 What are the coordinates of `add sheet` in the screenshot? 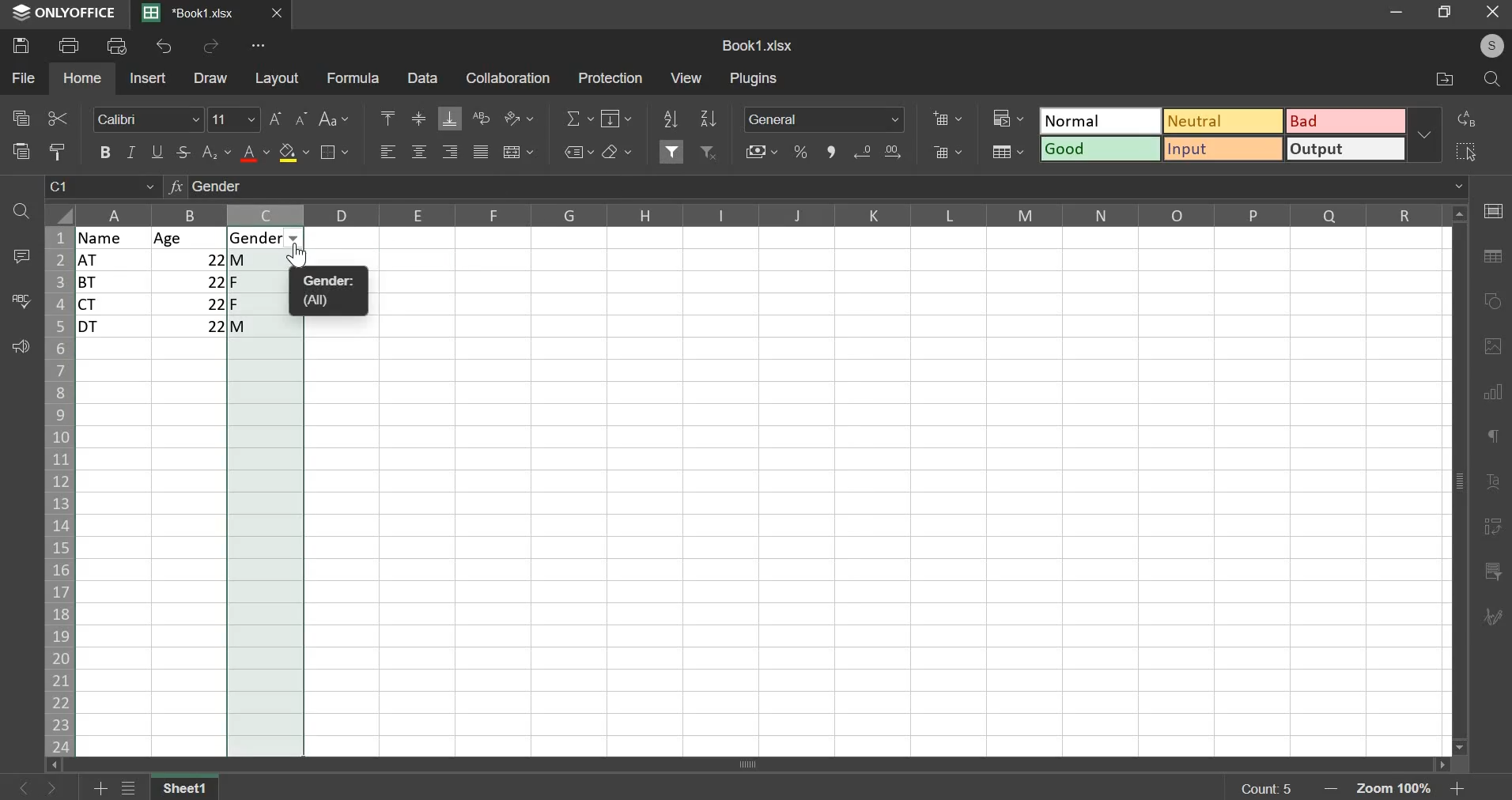 It's located at (102, 786).